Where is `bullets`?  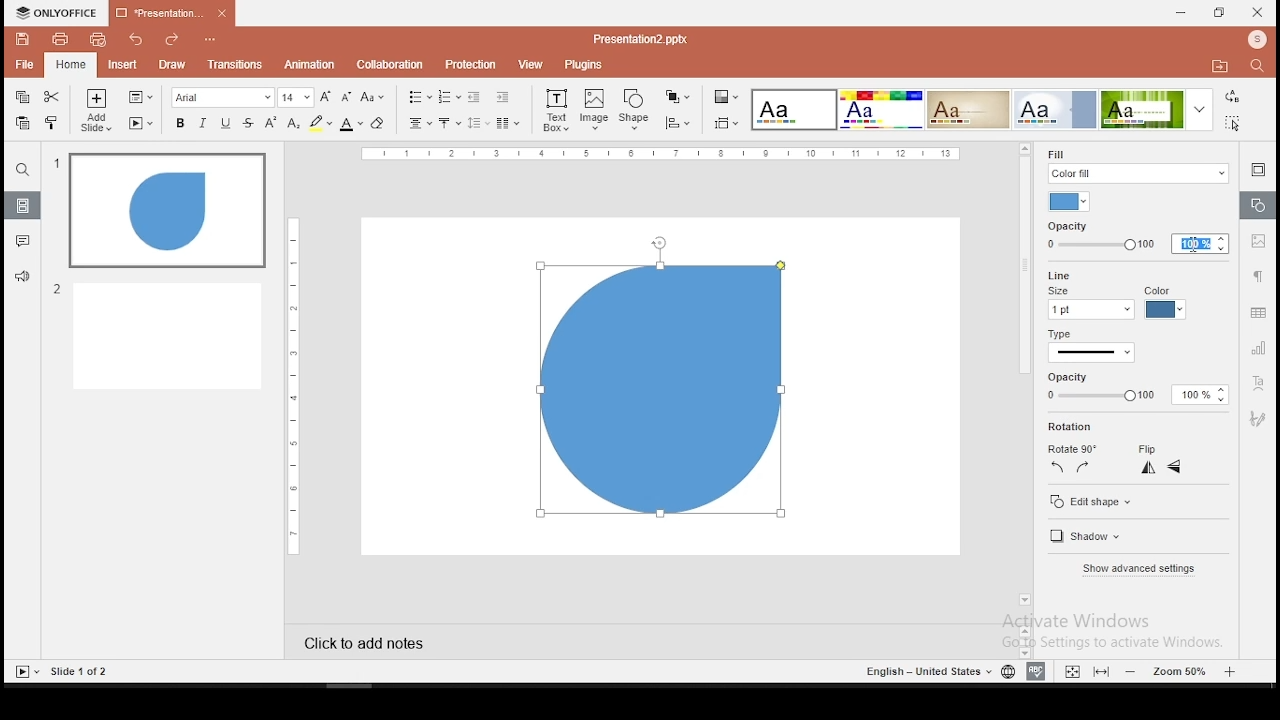 bullets is located at coordinates (416, 97).